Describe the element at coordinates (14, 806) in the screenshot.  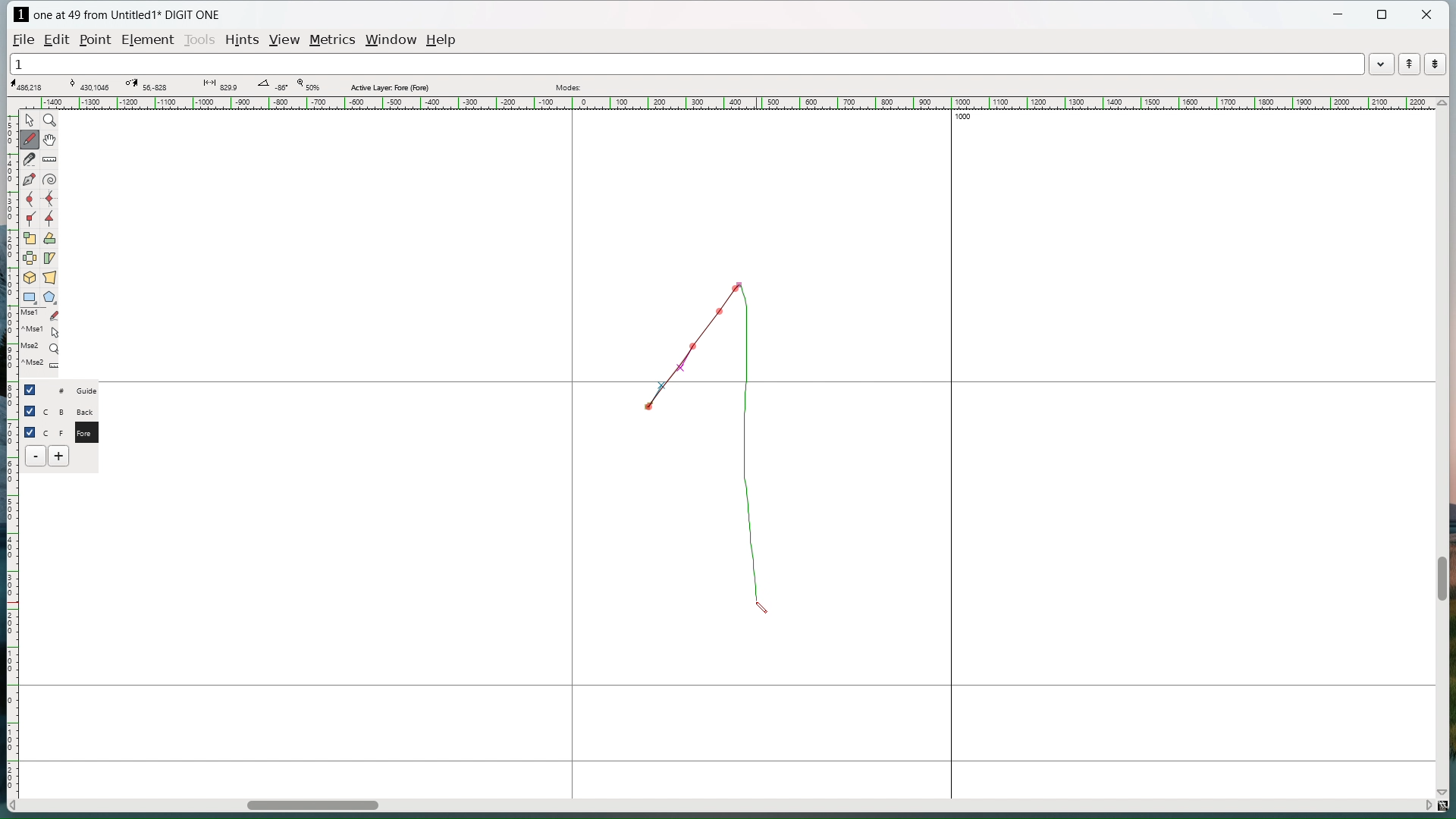
I see `scroll left` at that location.